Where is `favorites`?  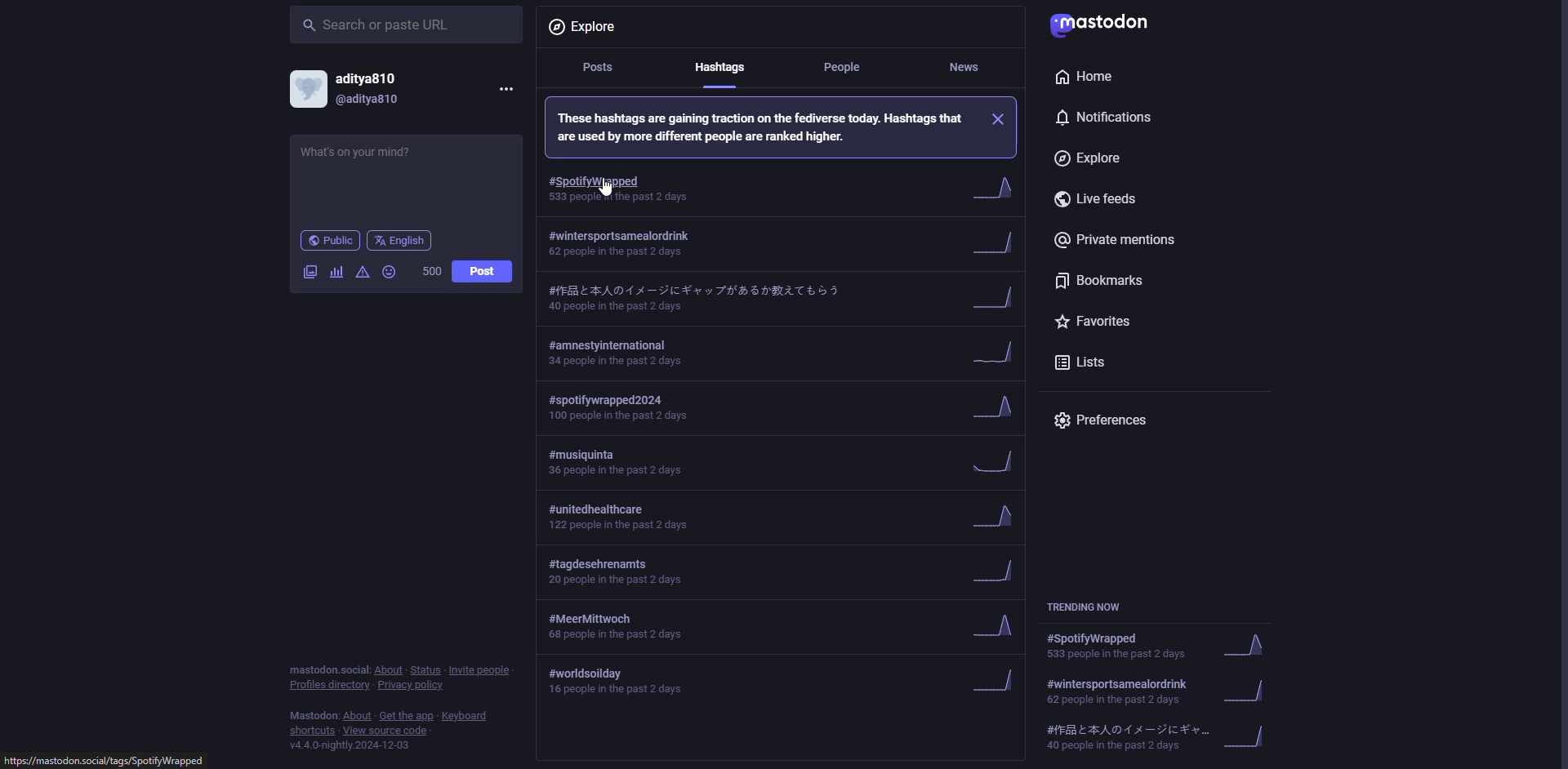
favorites is located at coordinates (1100, 321).